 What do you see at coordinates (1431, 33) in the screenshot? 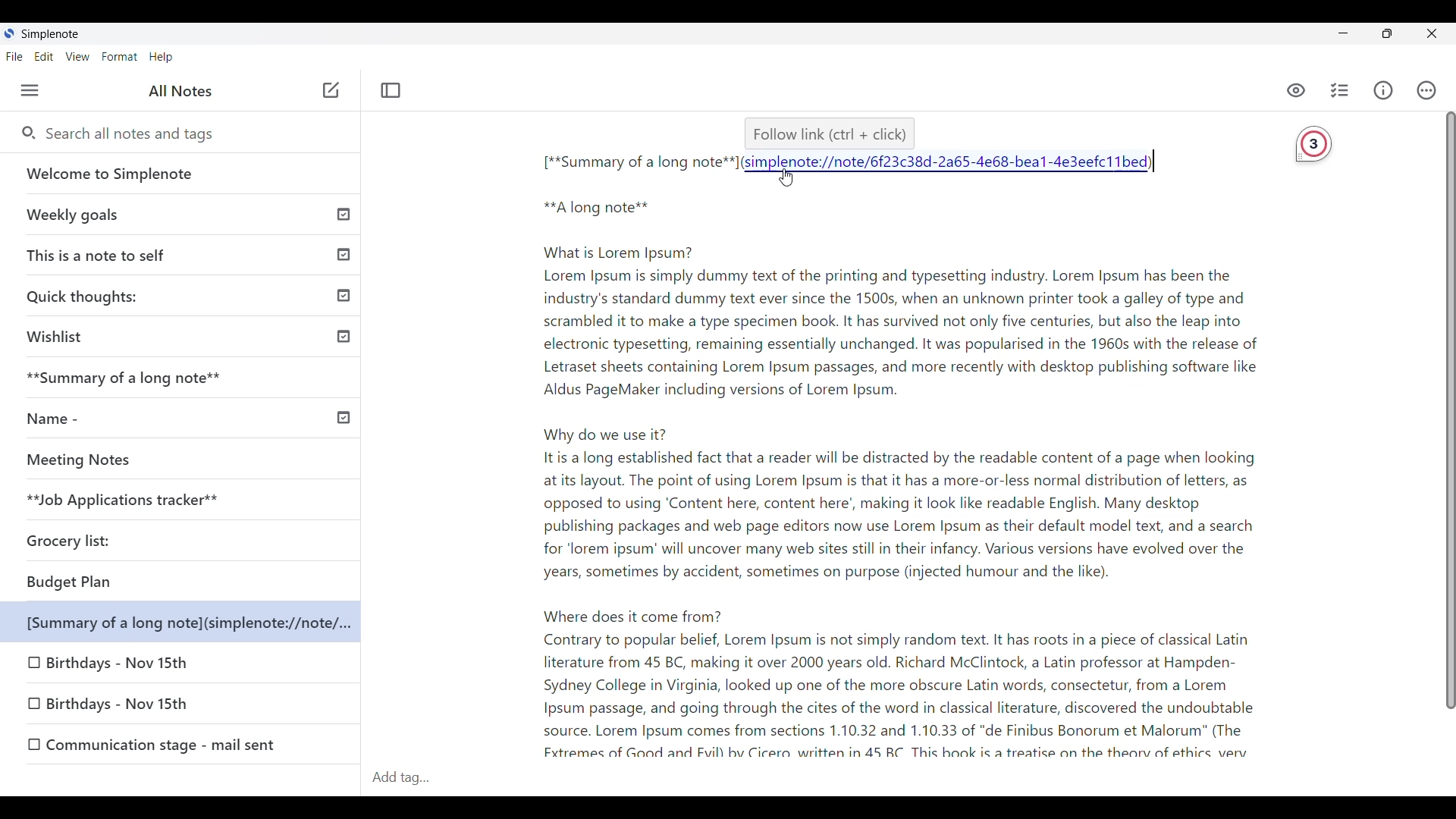
I see `Close interface` at bounding box center [1431, 33].